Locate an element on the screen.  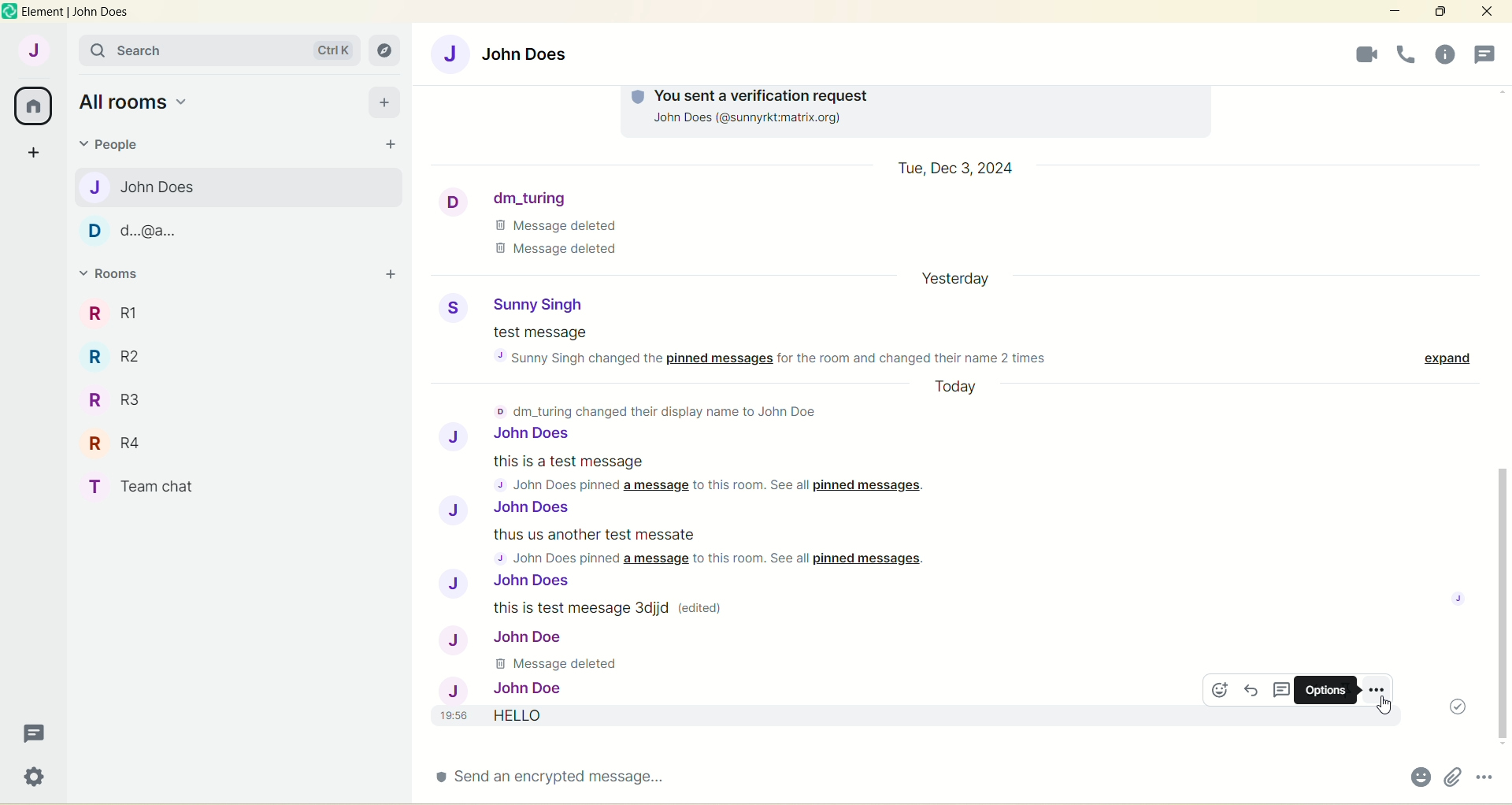
options is located at coordinates (1378, 688).